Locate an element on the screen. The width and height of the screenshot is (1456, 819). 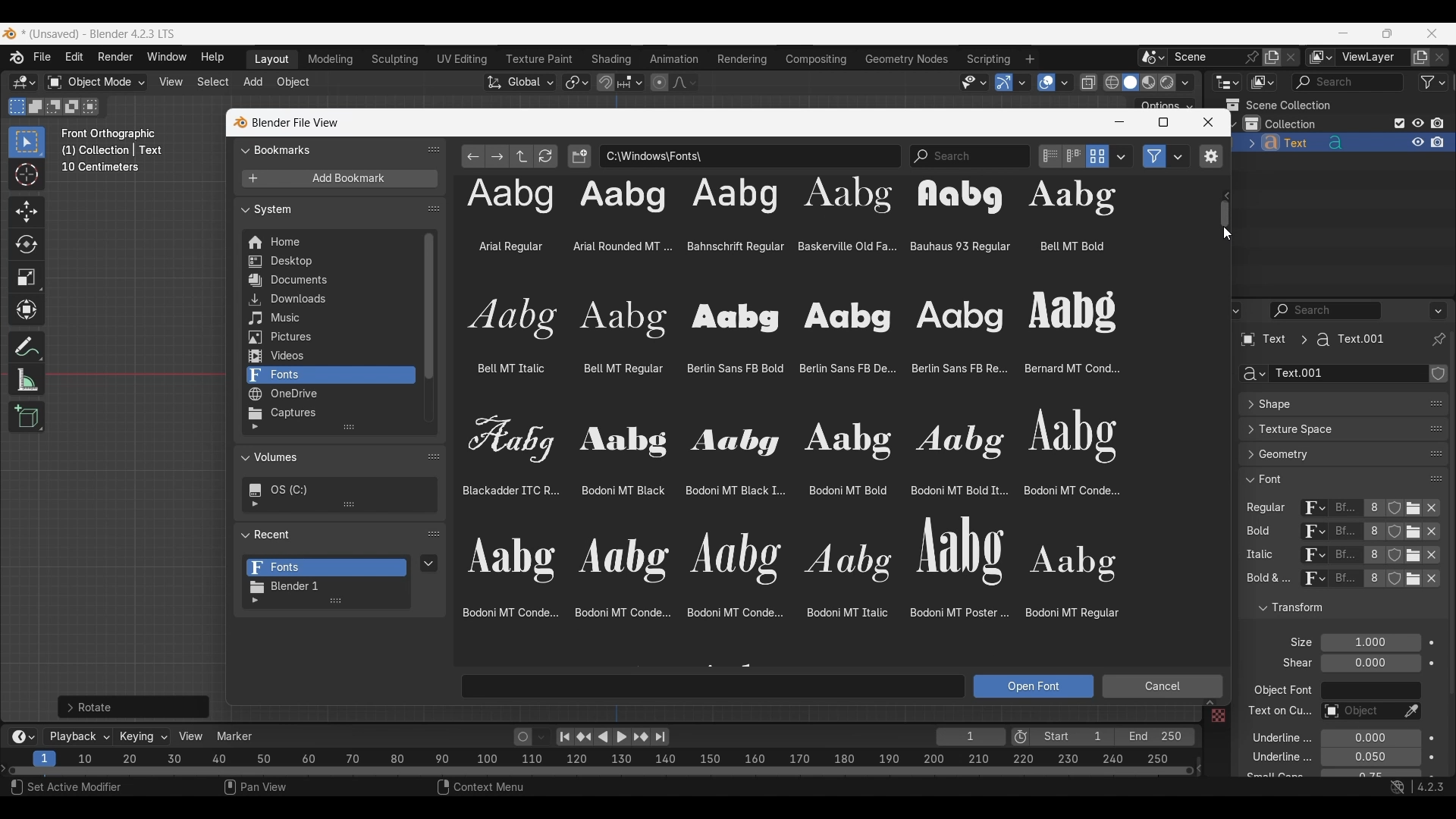
nlink respective attribute is located at coordinates (1406, 555).